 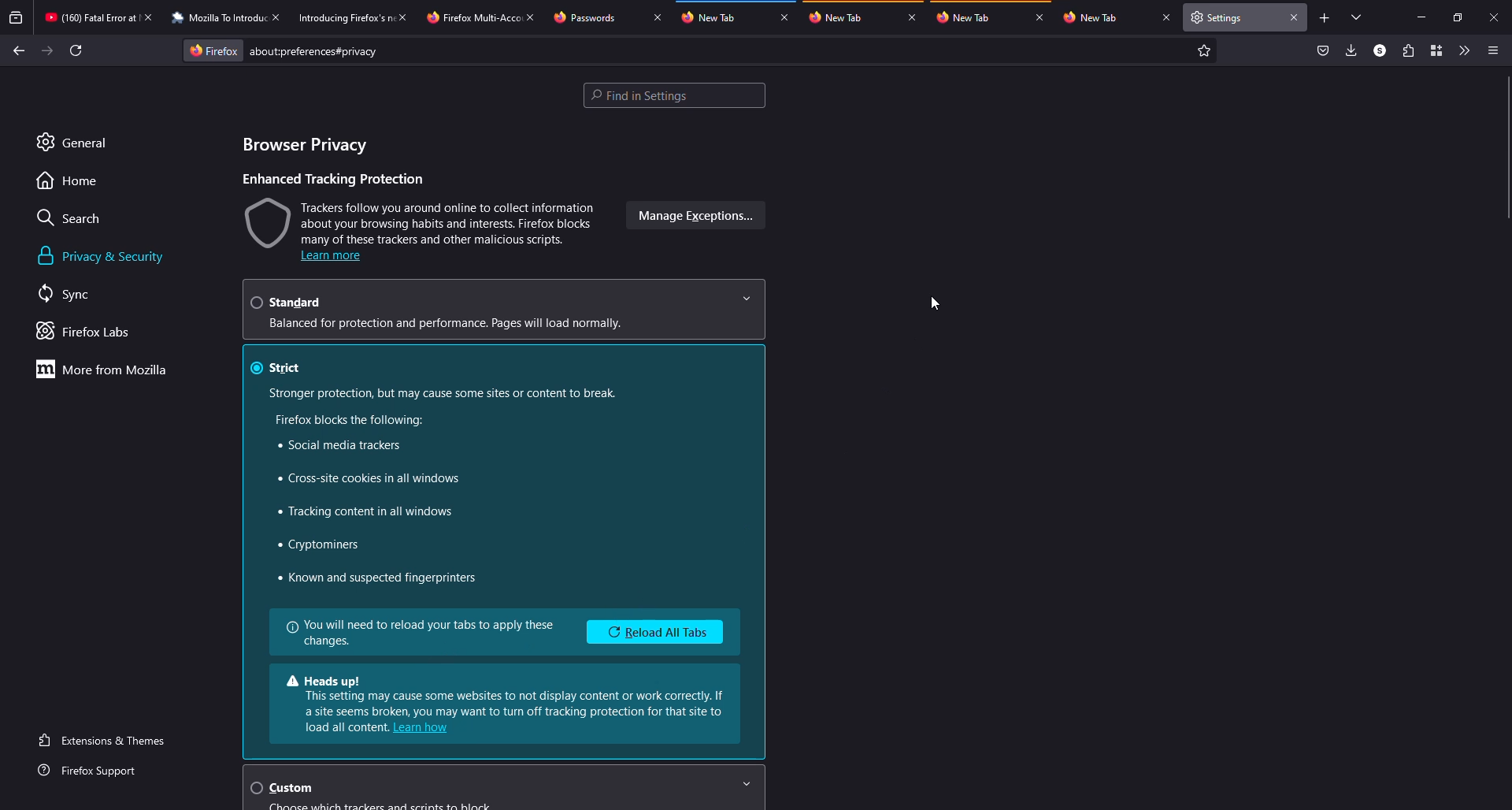 I want to click on close, so click(x=280, y=17).